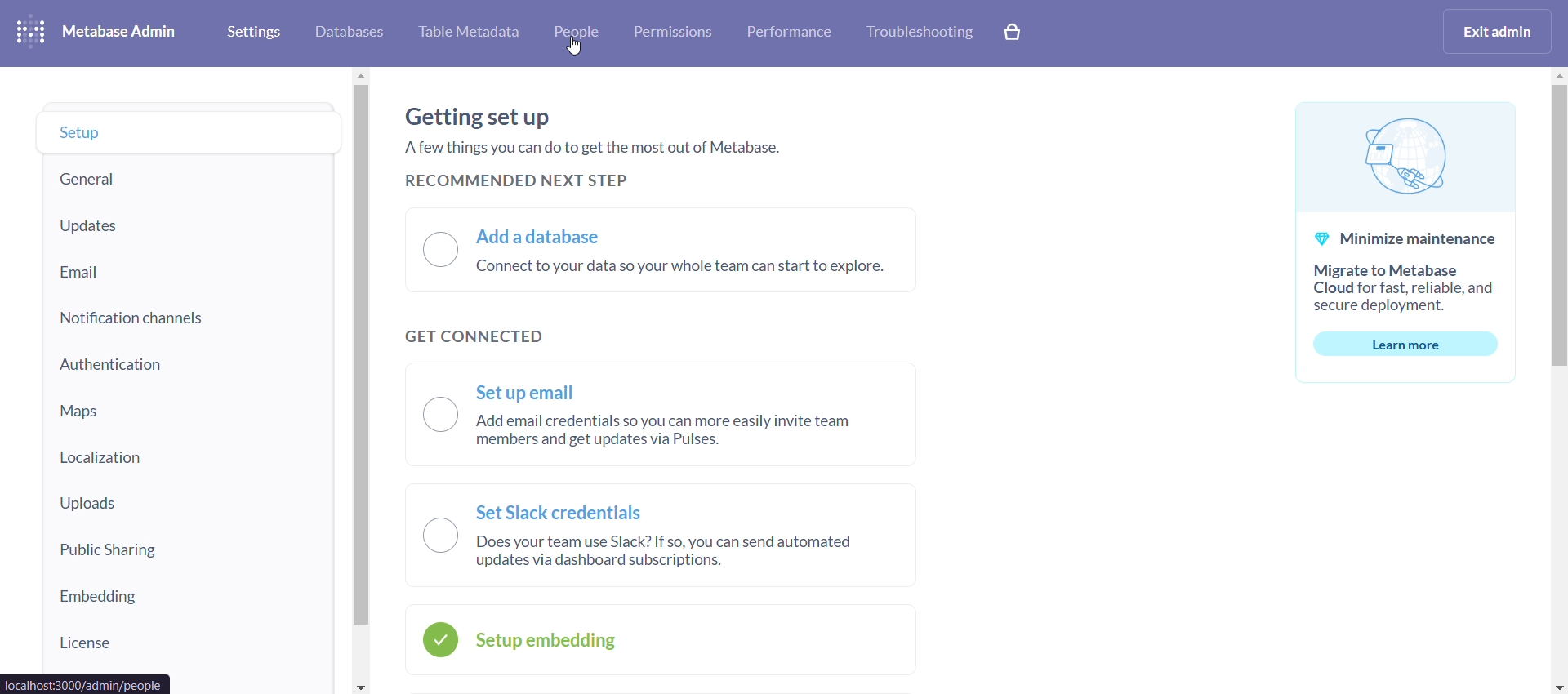  Describe the element at coordinates (185, 509) in the screenshot. I see `uploads` at that location.